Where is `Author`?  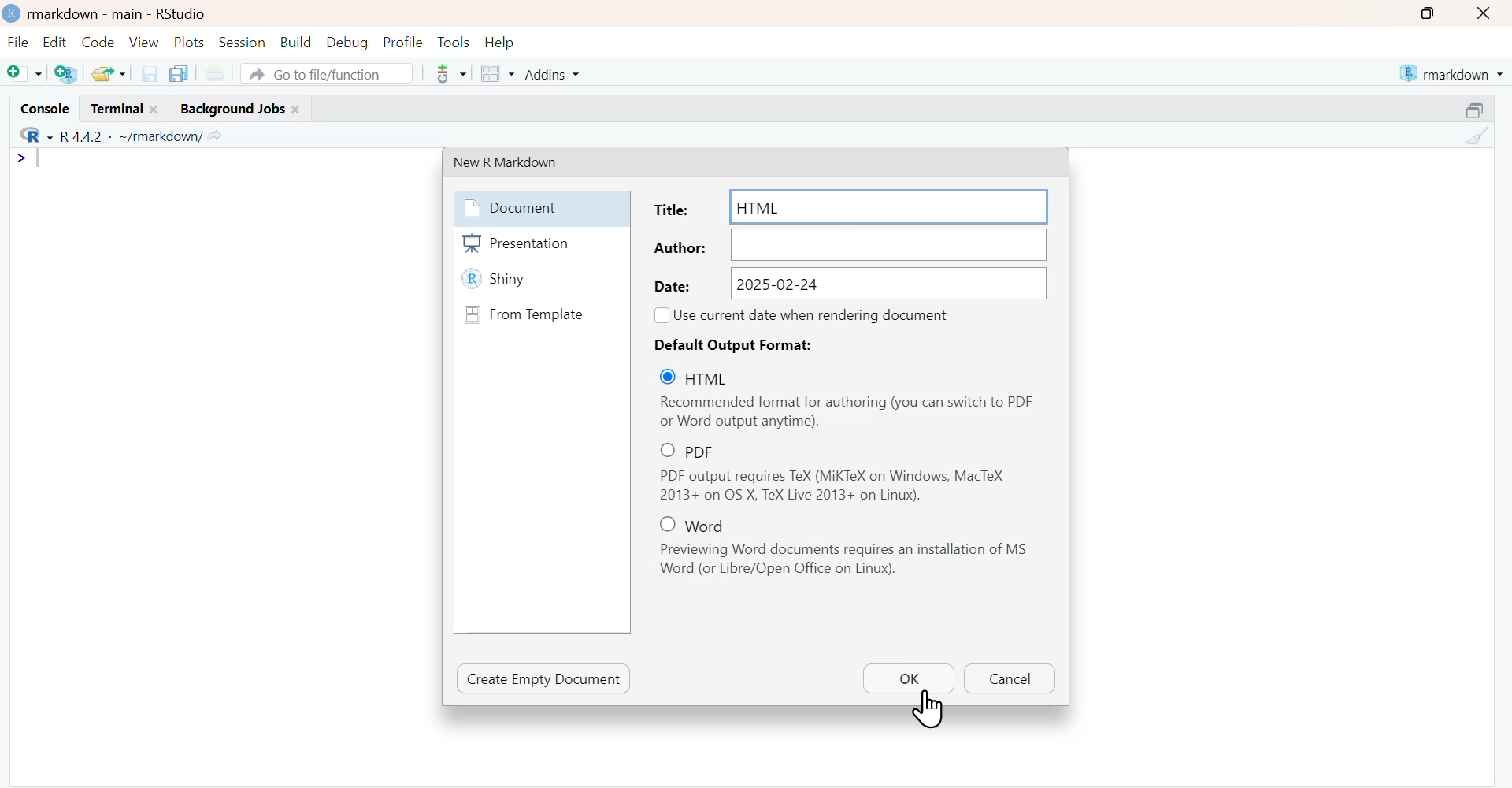 Author is located at coordinates (849, 245).